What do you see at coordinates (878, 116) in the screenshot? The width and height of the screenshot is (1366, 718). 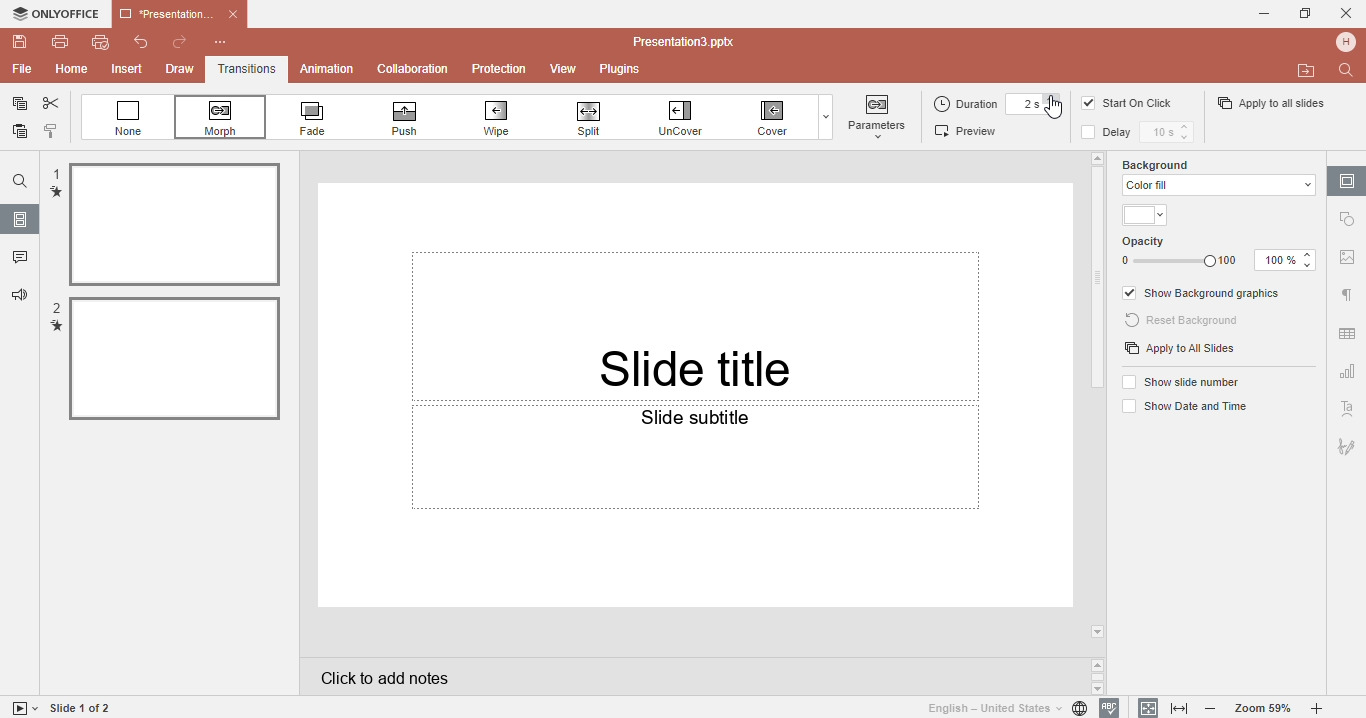 I see `button highlighted` at bounding box center [878, 116].